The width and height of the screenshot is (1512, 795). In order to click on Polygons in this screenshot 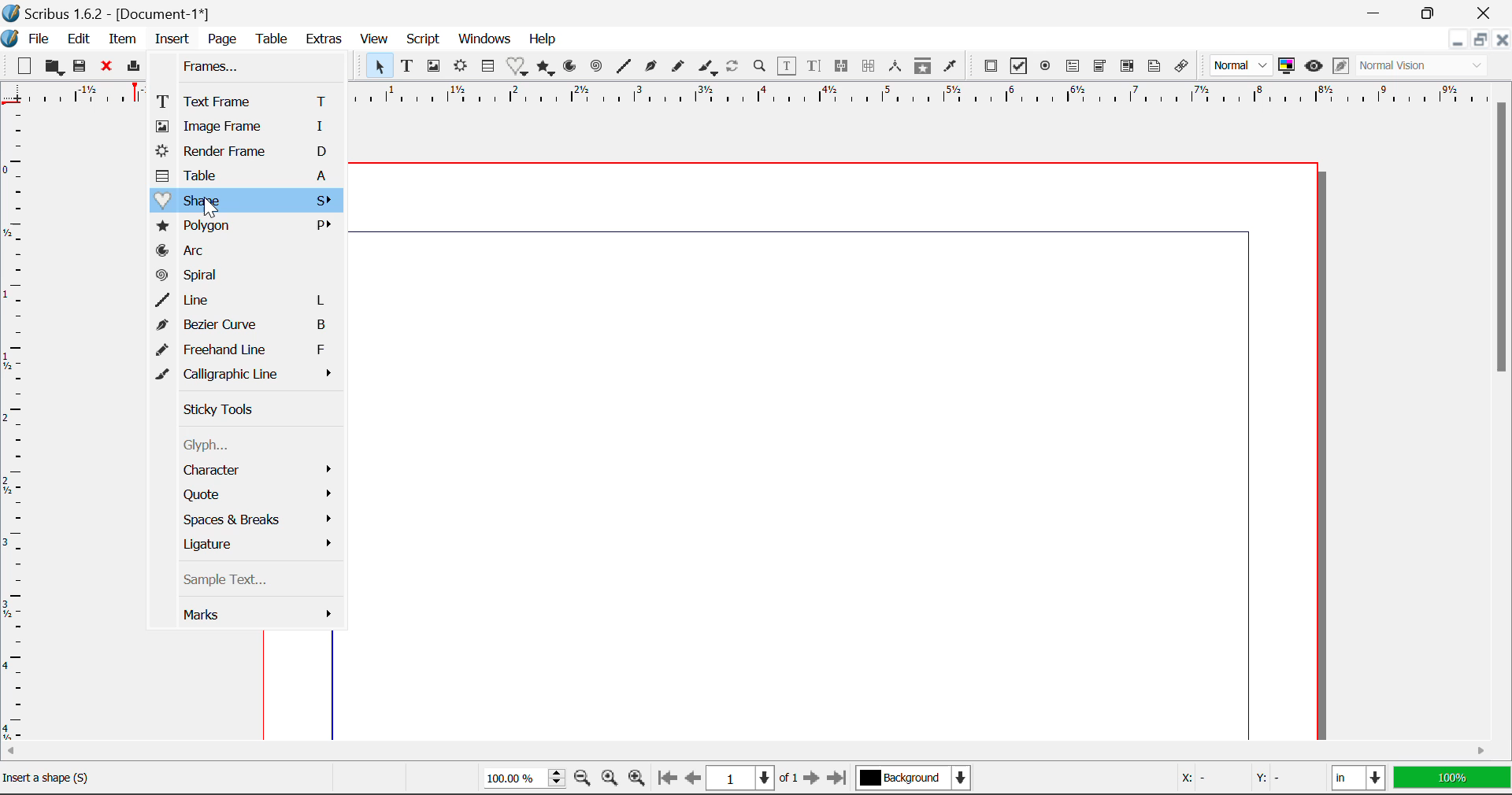, I will do `click(547, 68)`.